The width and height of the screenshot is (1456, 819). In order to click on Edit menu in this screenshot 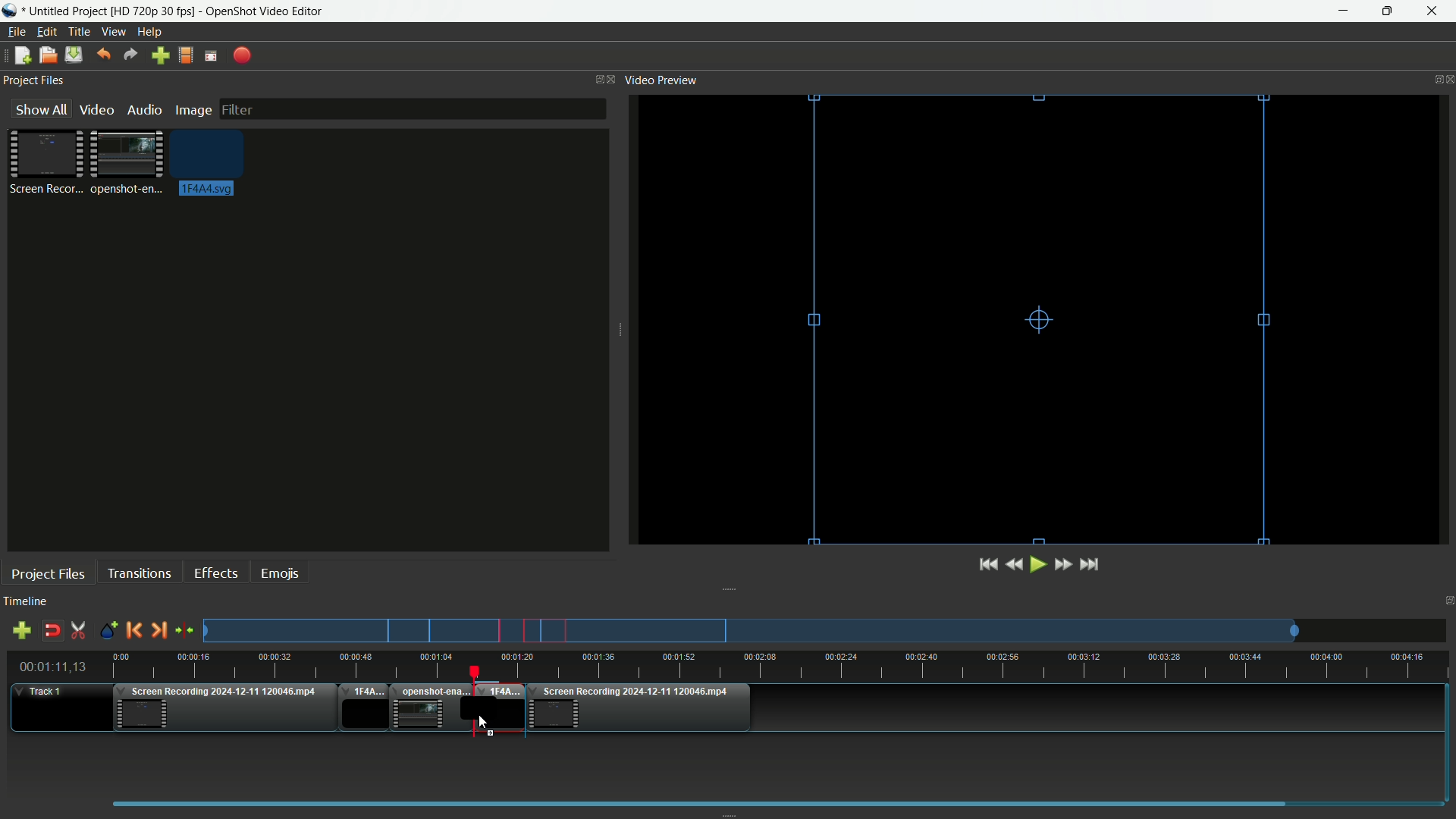, I will do `click(44, 32)`.